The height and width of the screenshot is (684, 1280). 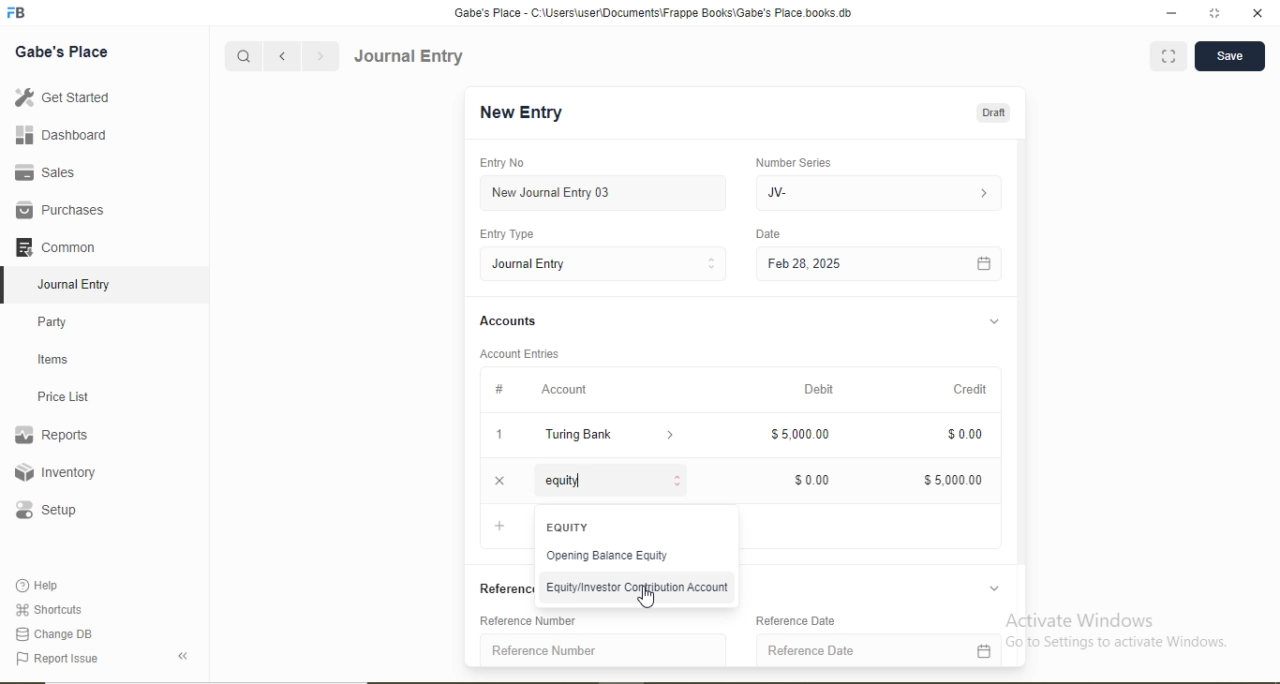 I want to click on Items, so click(x=53, y=359).